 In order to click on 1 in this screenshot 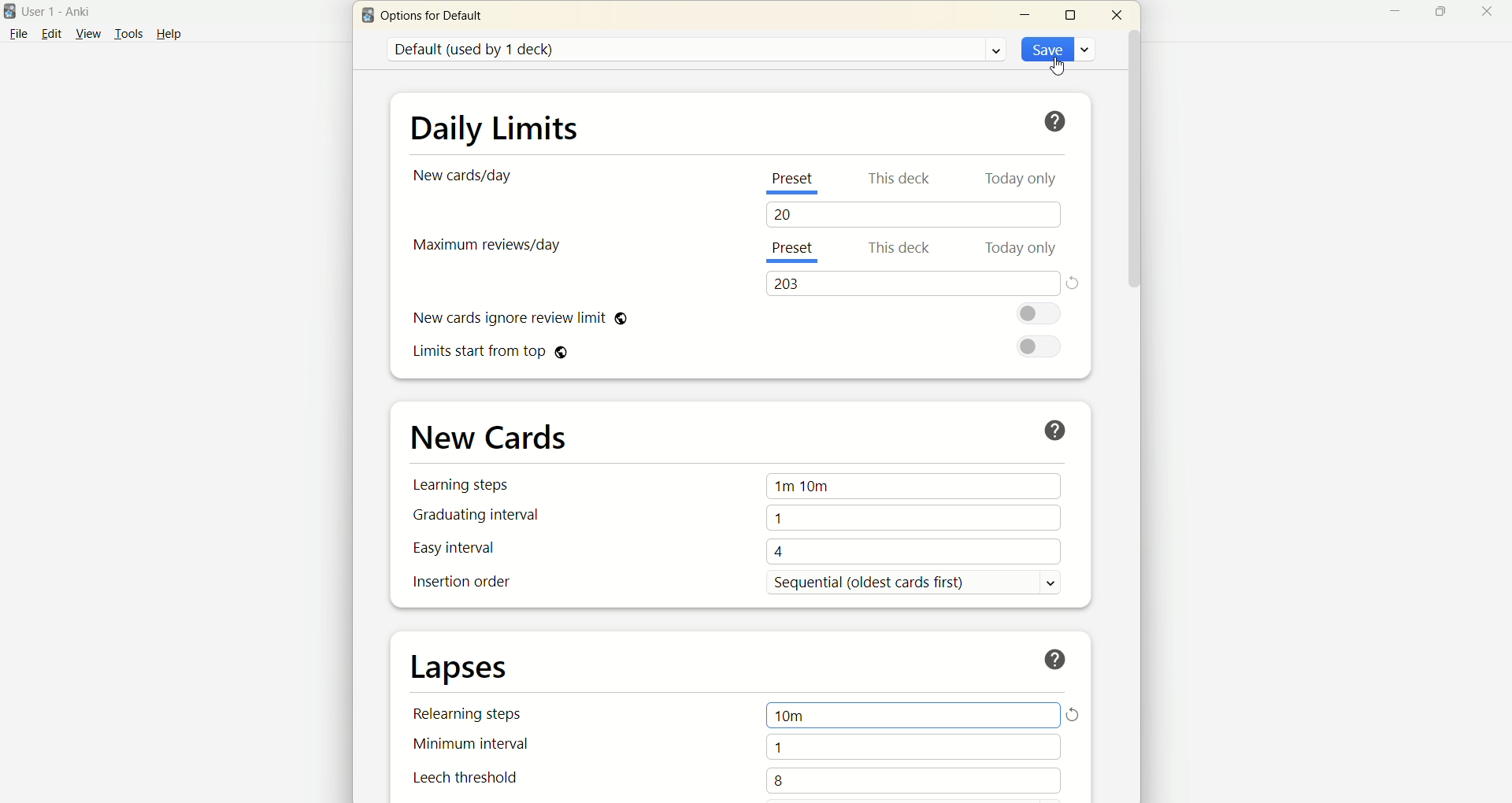, I will do `click(913, 749)`.